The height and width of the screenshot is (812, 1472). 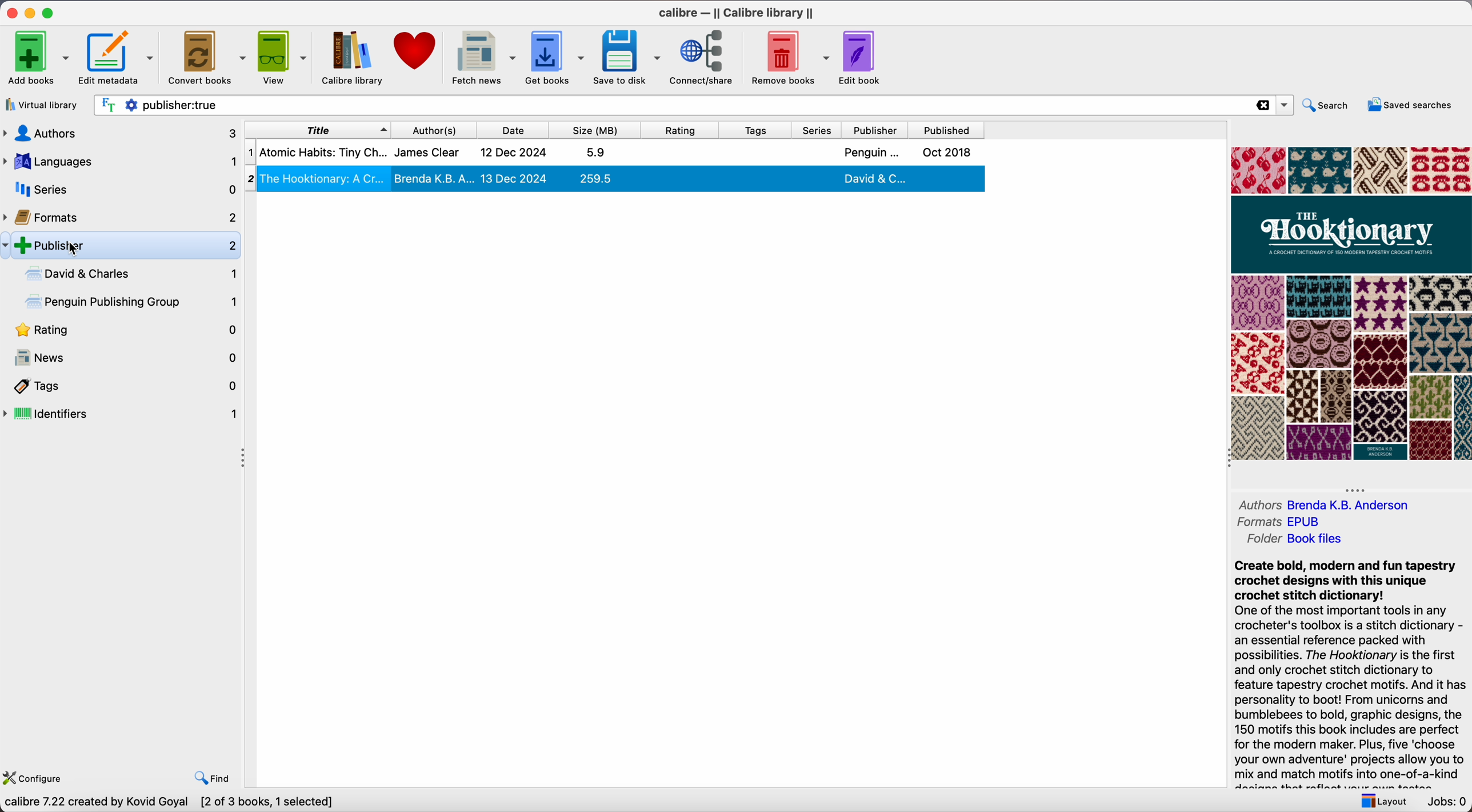 What do you see at coordinates (122, 358) in the screenshot?
I see `news` at bounding box center [122, 358].